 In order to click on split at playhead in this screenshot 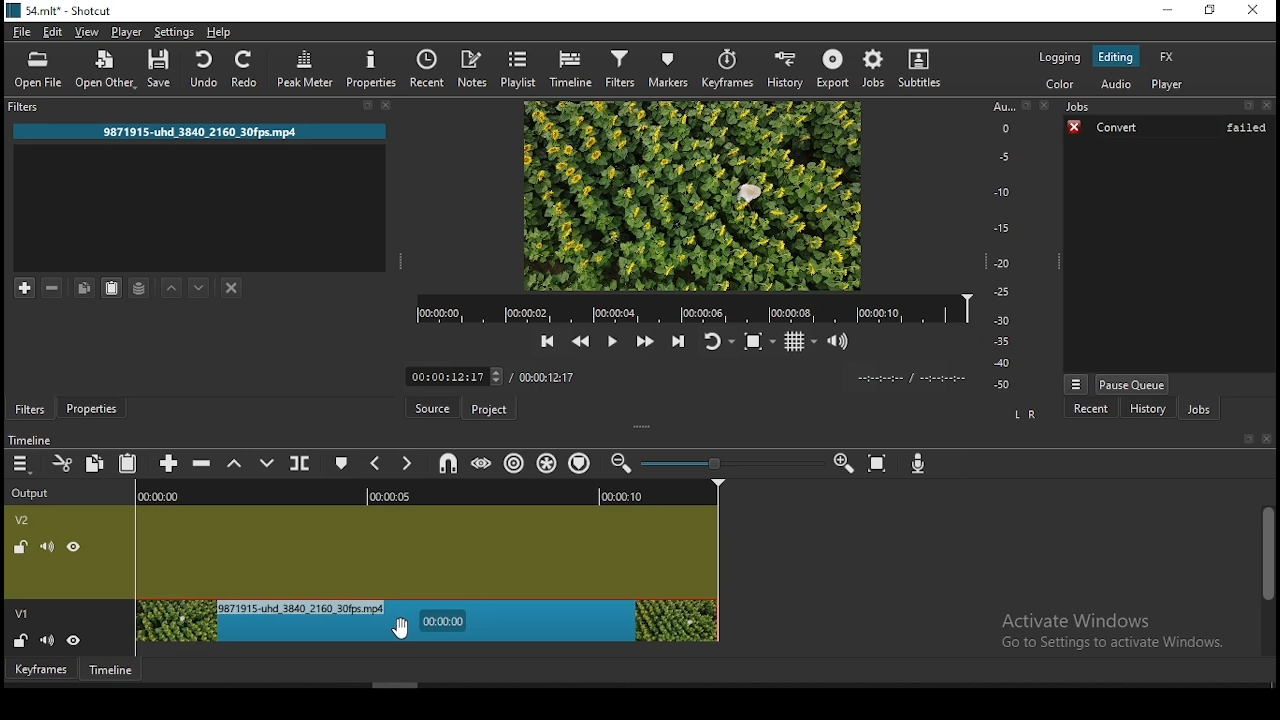, I will do `click(302, 462)`.